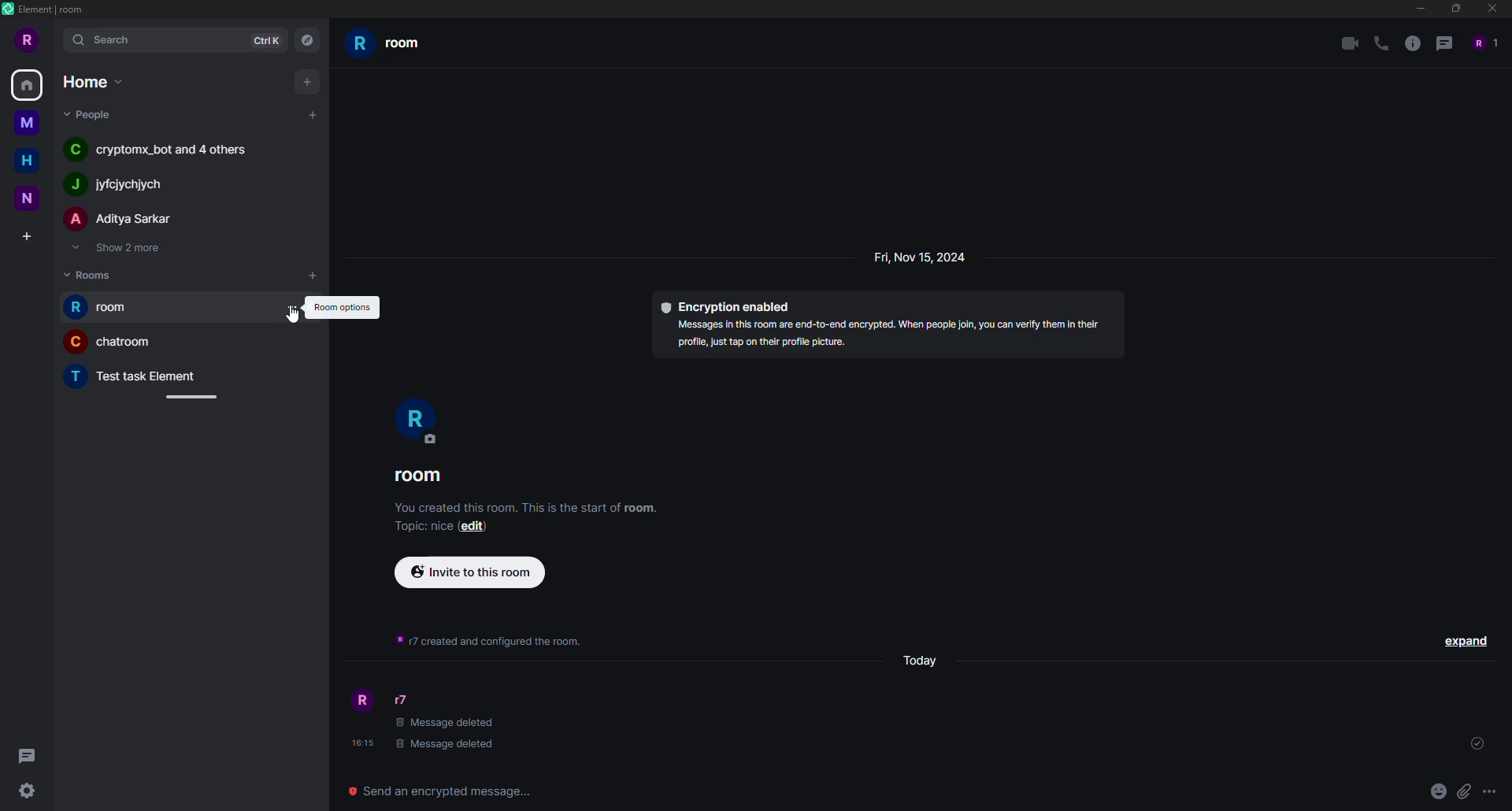  I want to click on rroom, so click(405, 46).